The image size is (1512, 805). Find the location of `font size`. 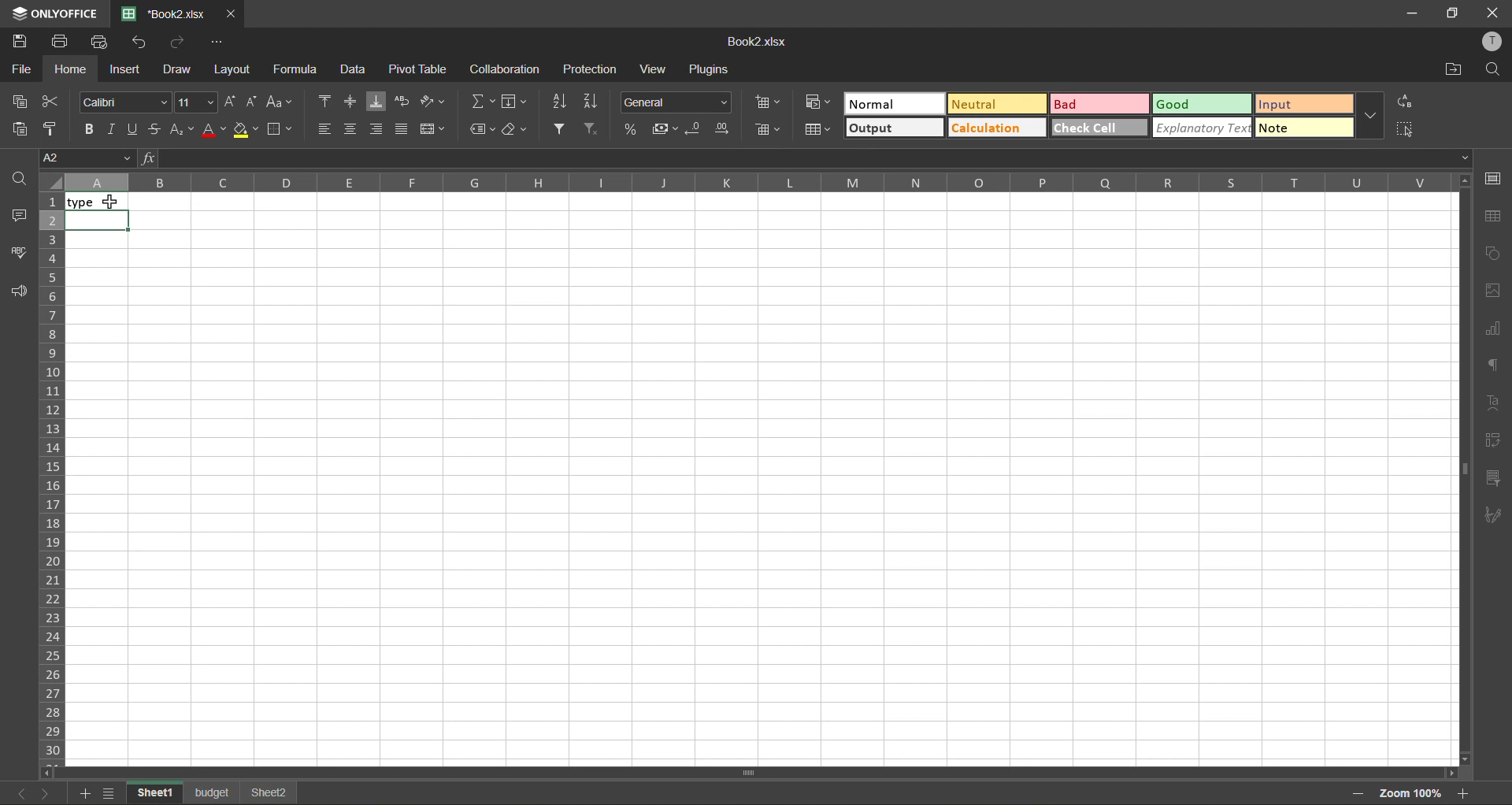

font size is located at coordinates (194, 103).